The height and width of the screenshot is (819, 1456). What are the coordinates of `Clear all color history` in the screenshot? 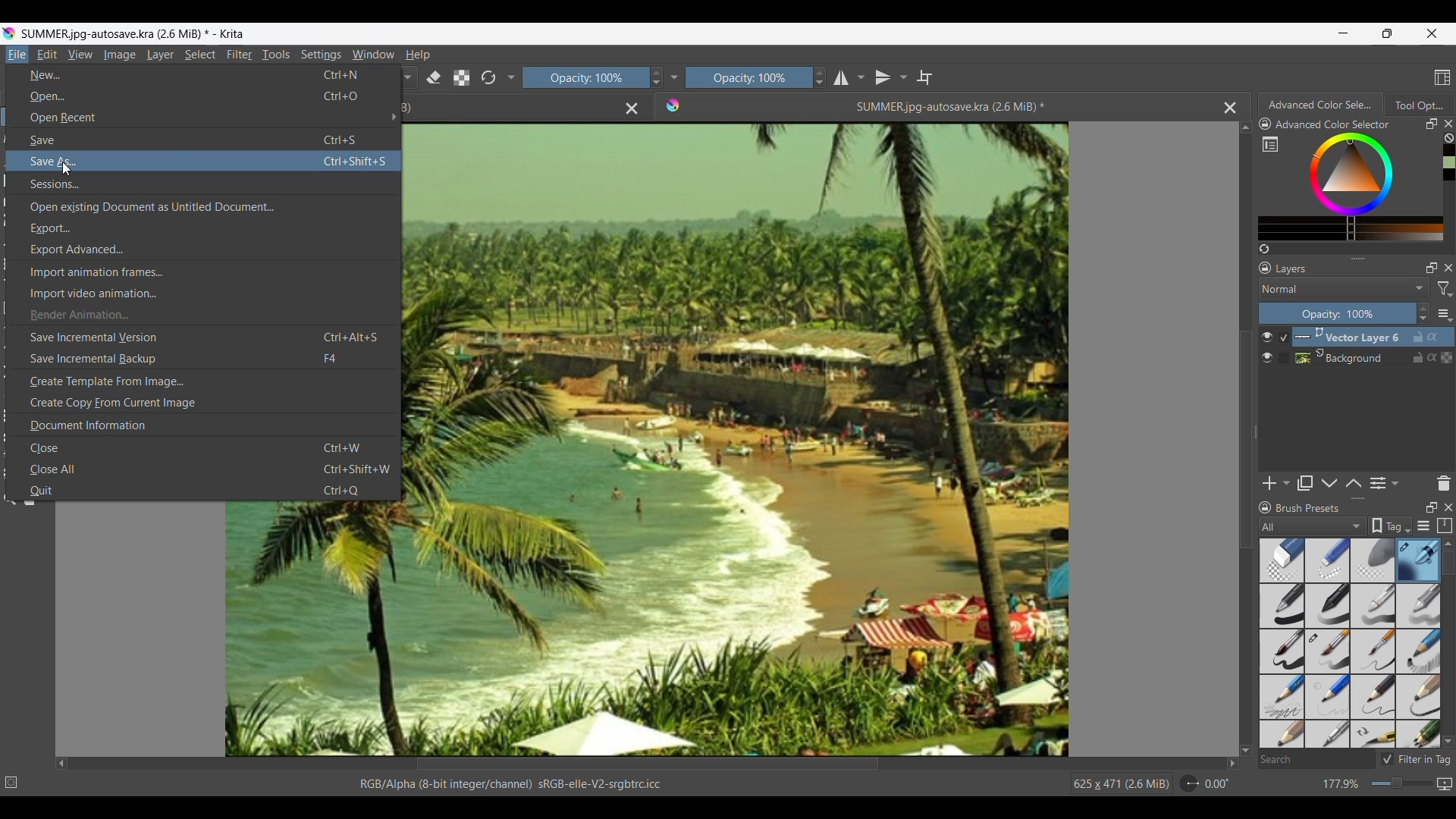 It's located at (1448, 138).